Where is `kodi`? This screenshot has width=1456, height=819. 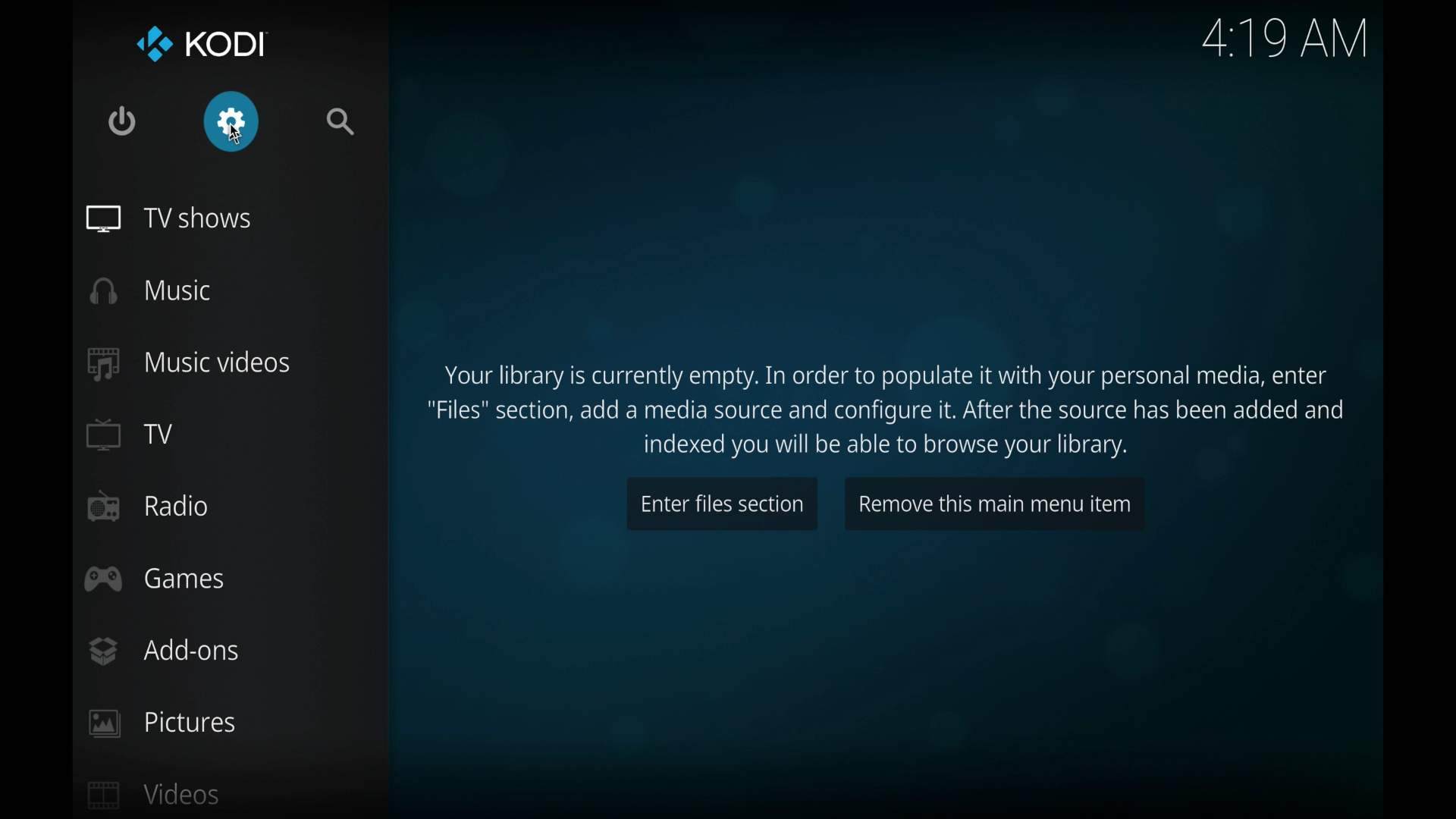 kodi is located at coordinates (203, 44).